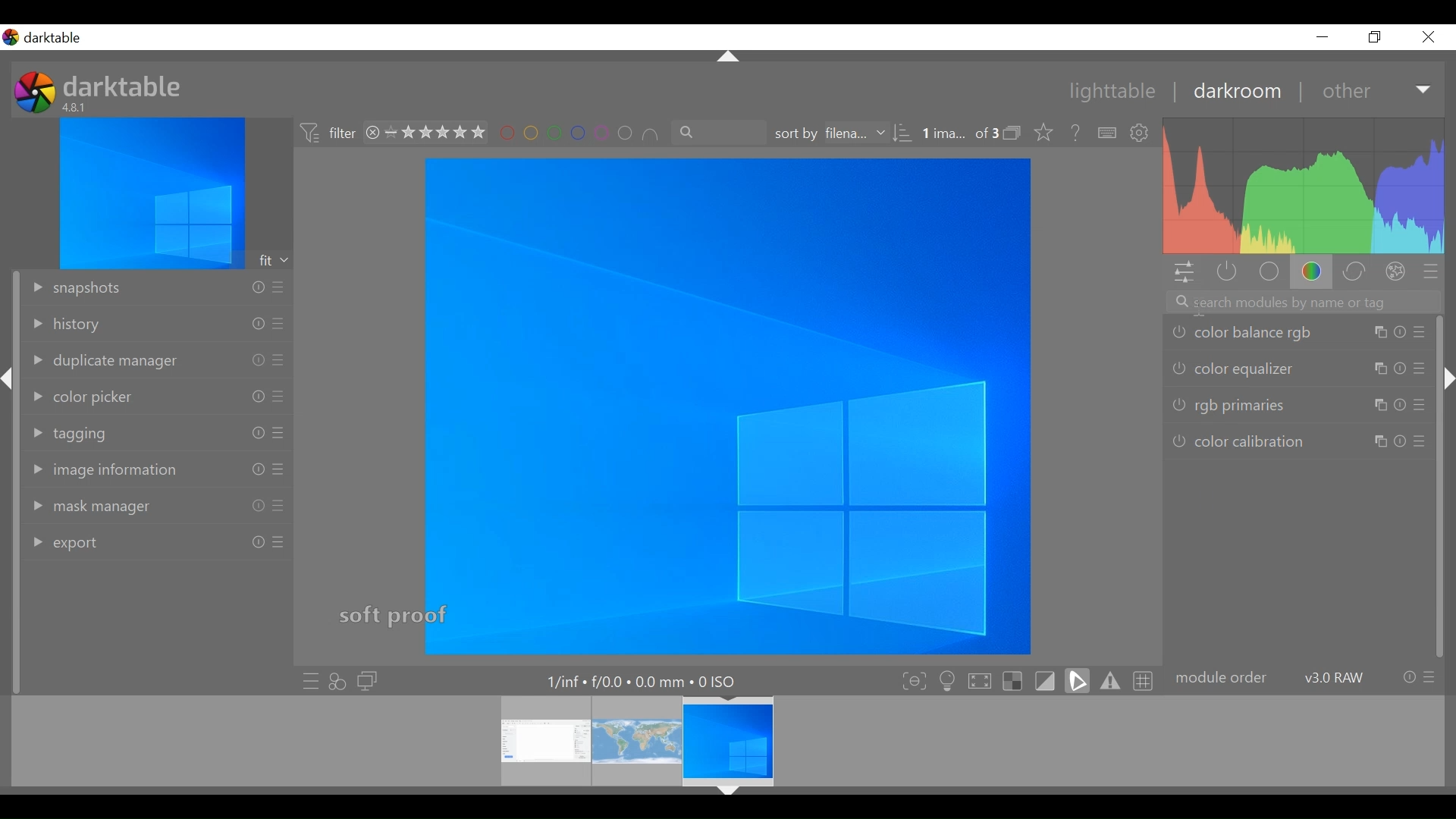  I want to click on correct, so click(1354, 271).